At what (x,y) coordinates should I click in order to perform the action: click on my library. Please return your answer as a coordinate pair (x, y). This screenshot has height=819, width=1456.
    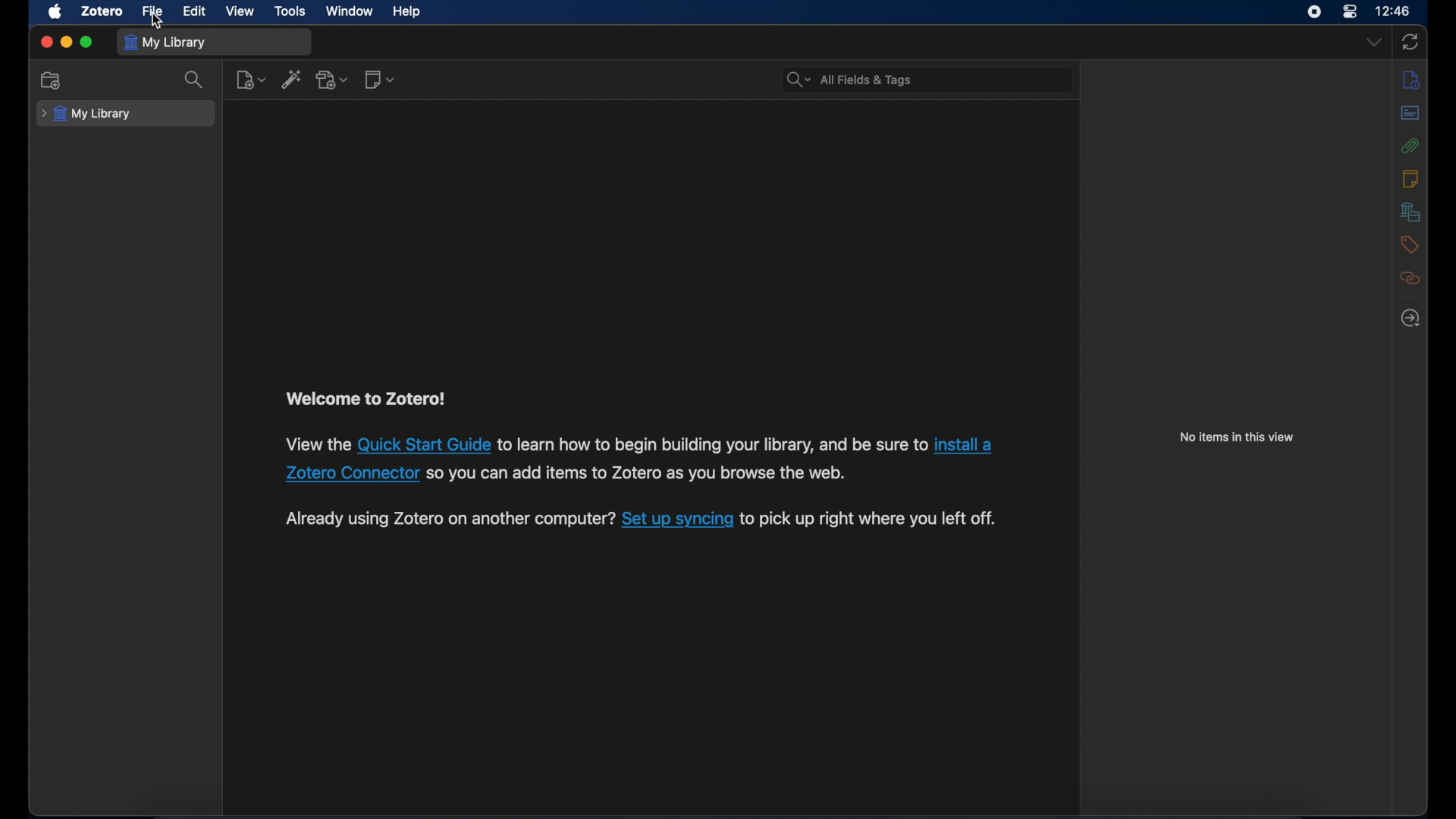
    Looking at the image, I should click on (86, 114).